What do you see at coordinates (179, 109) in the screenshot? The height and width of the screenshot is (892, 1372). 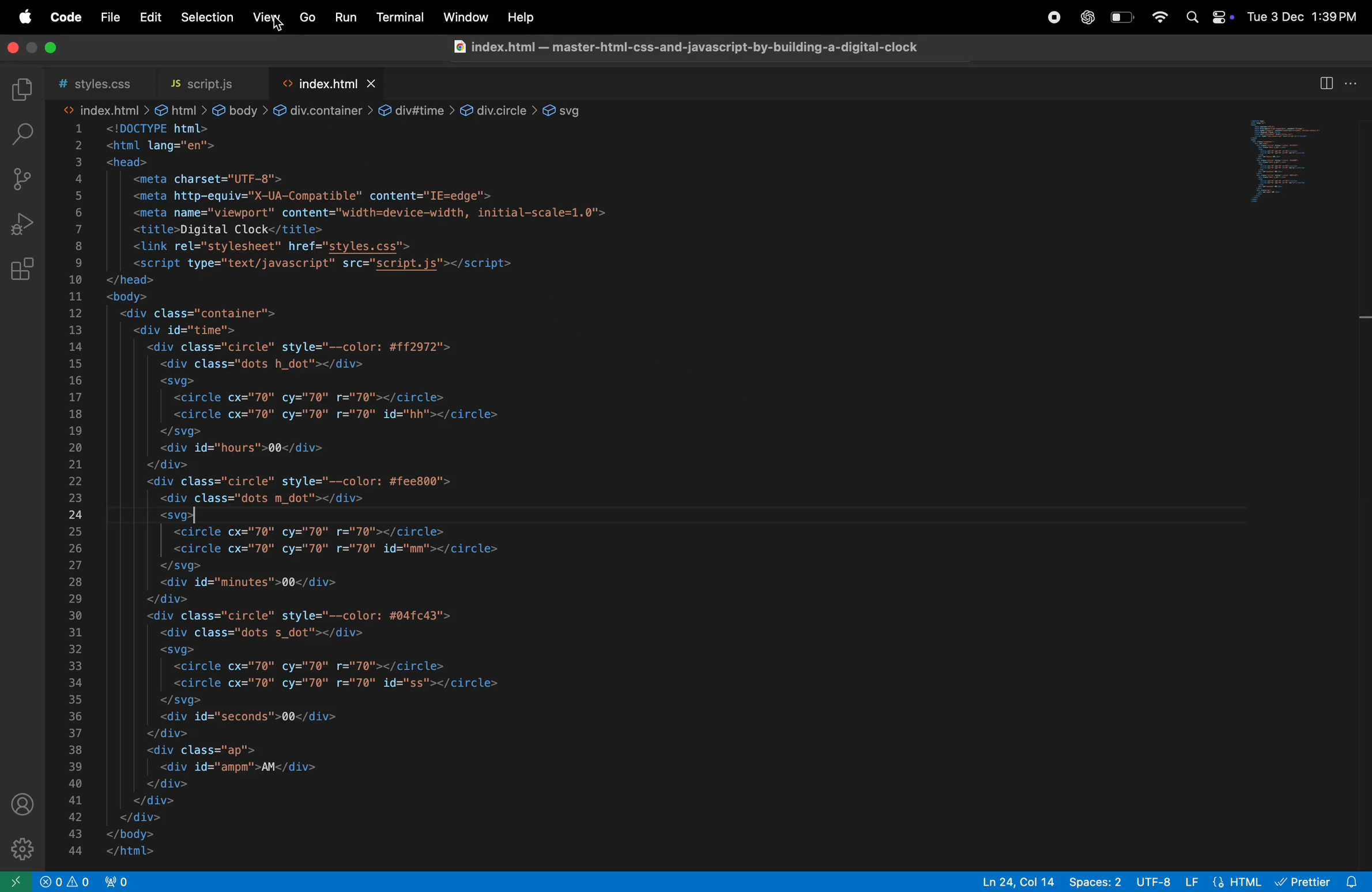 I see `html` at bounding box center [179, 109].